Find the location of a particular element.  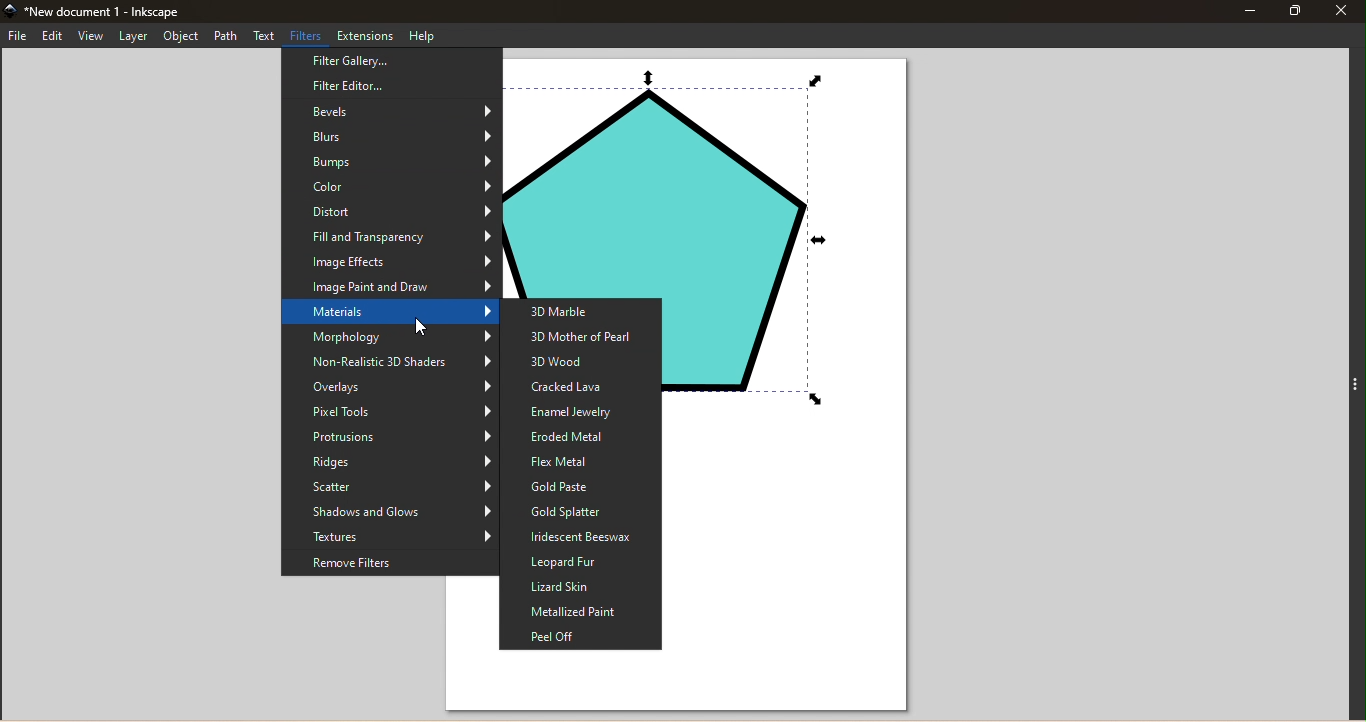

Maximize is located at coordinates (1295, 10).